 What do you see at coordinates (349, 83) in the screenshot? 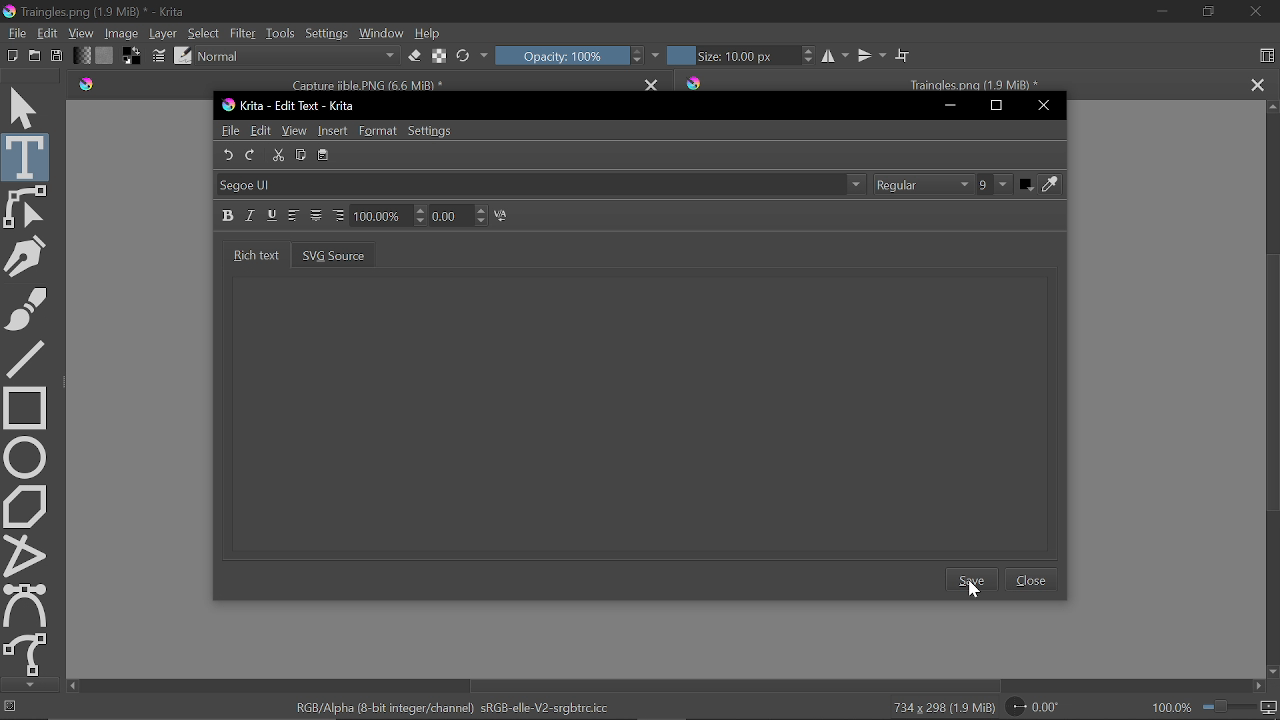
I see `Capture jible.PNG (6.6 MiB) *` at bounding box center [349, 83].